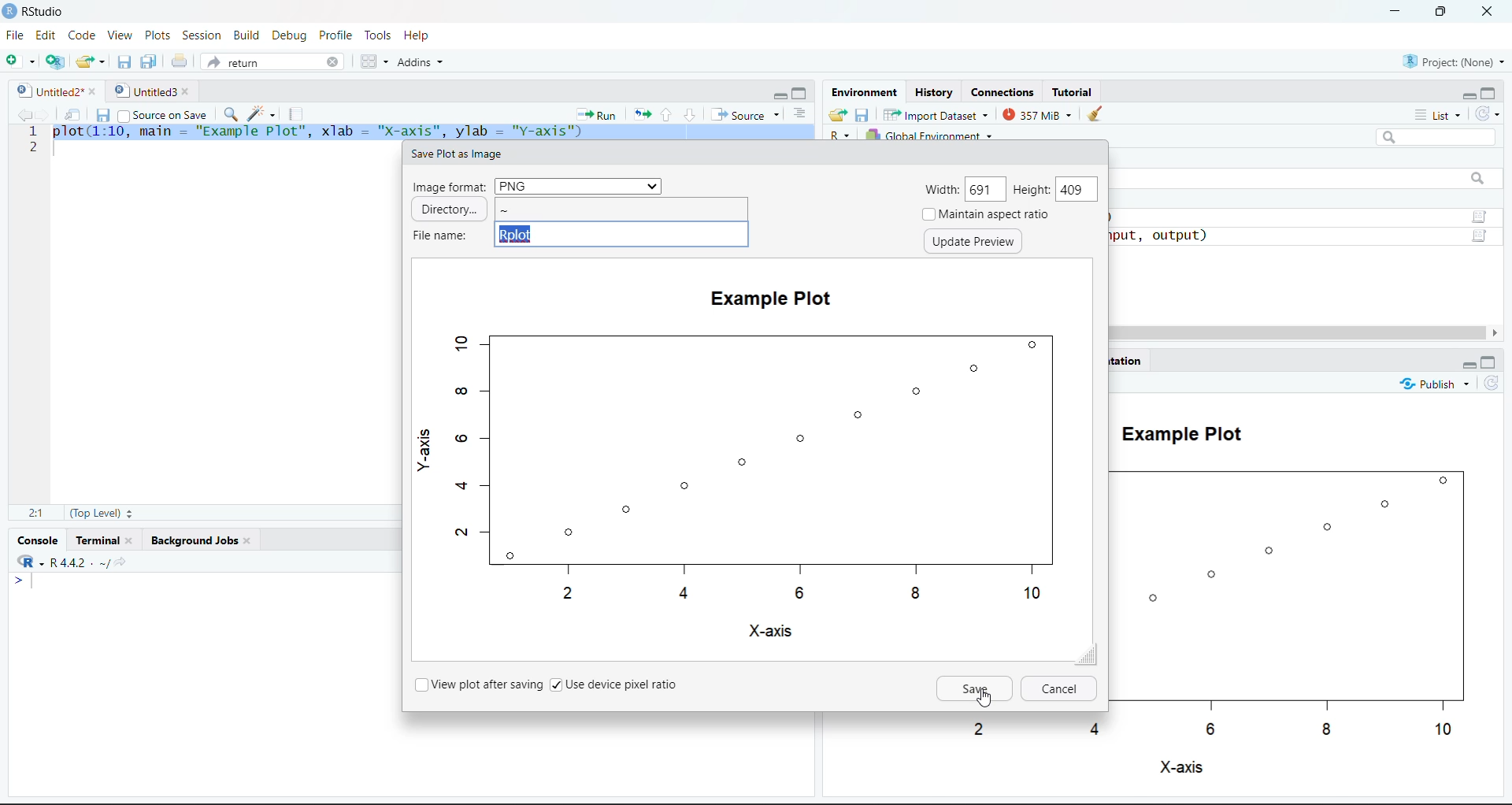 This screenshot has width=1512, height=805. I want to click on List, so click(1439, 114).